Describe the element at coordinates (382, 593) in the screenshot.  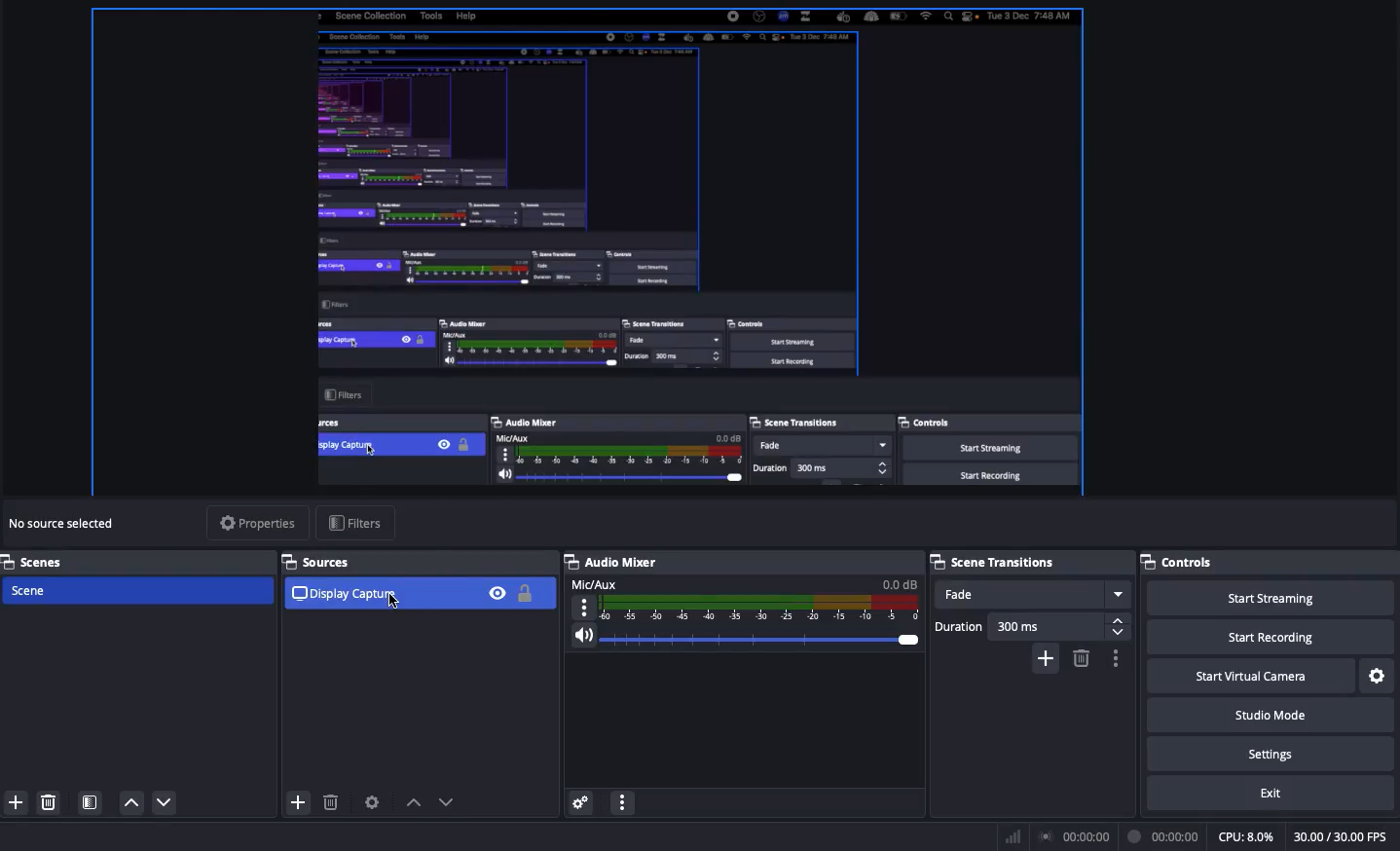
I see `Display capture` at that location.